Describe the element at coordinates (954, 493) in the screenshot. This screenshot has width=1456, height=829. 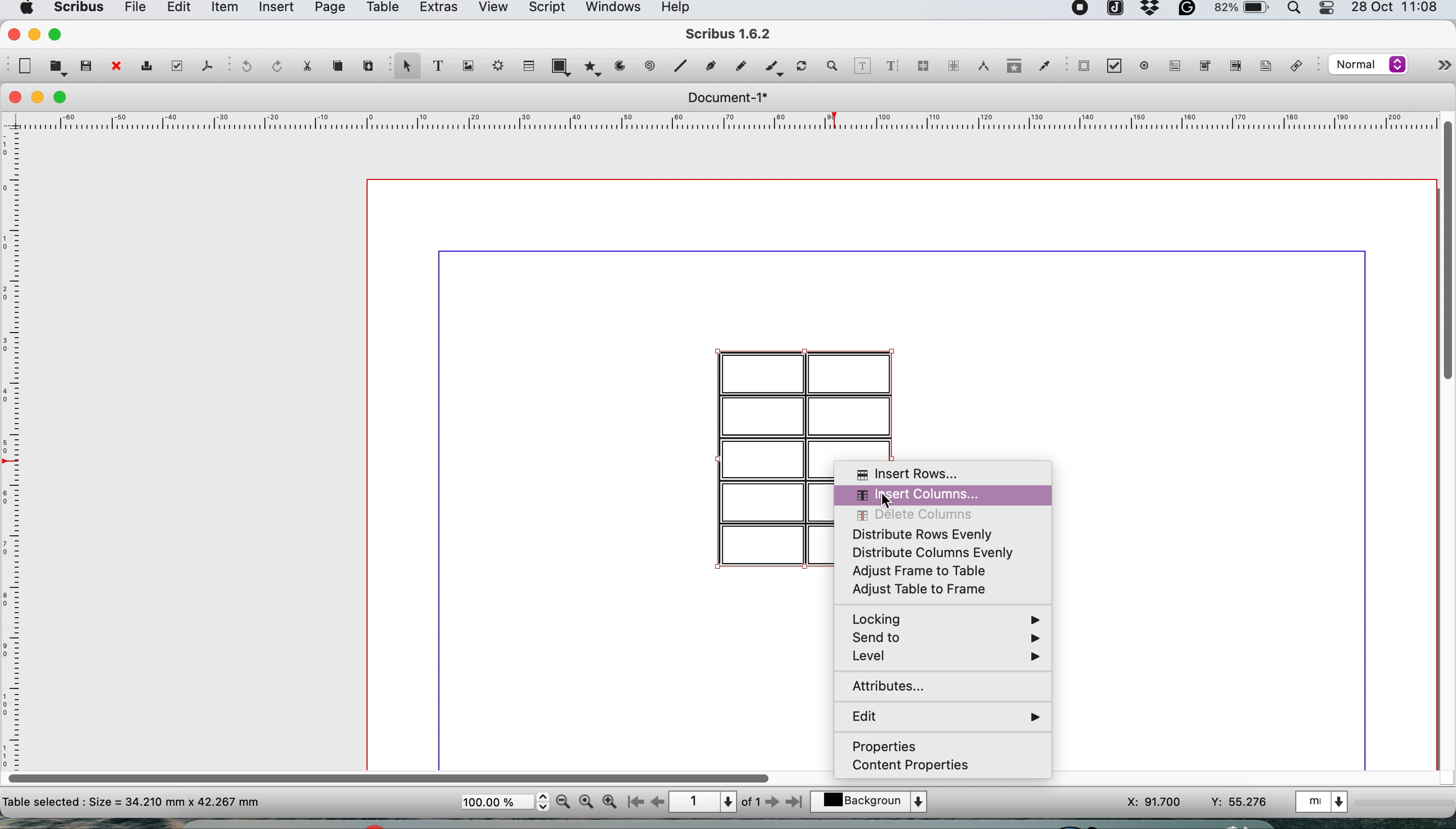
I see `insert columns` at that location.